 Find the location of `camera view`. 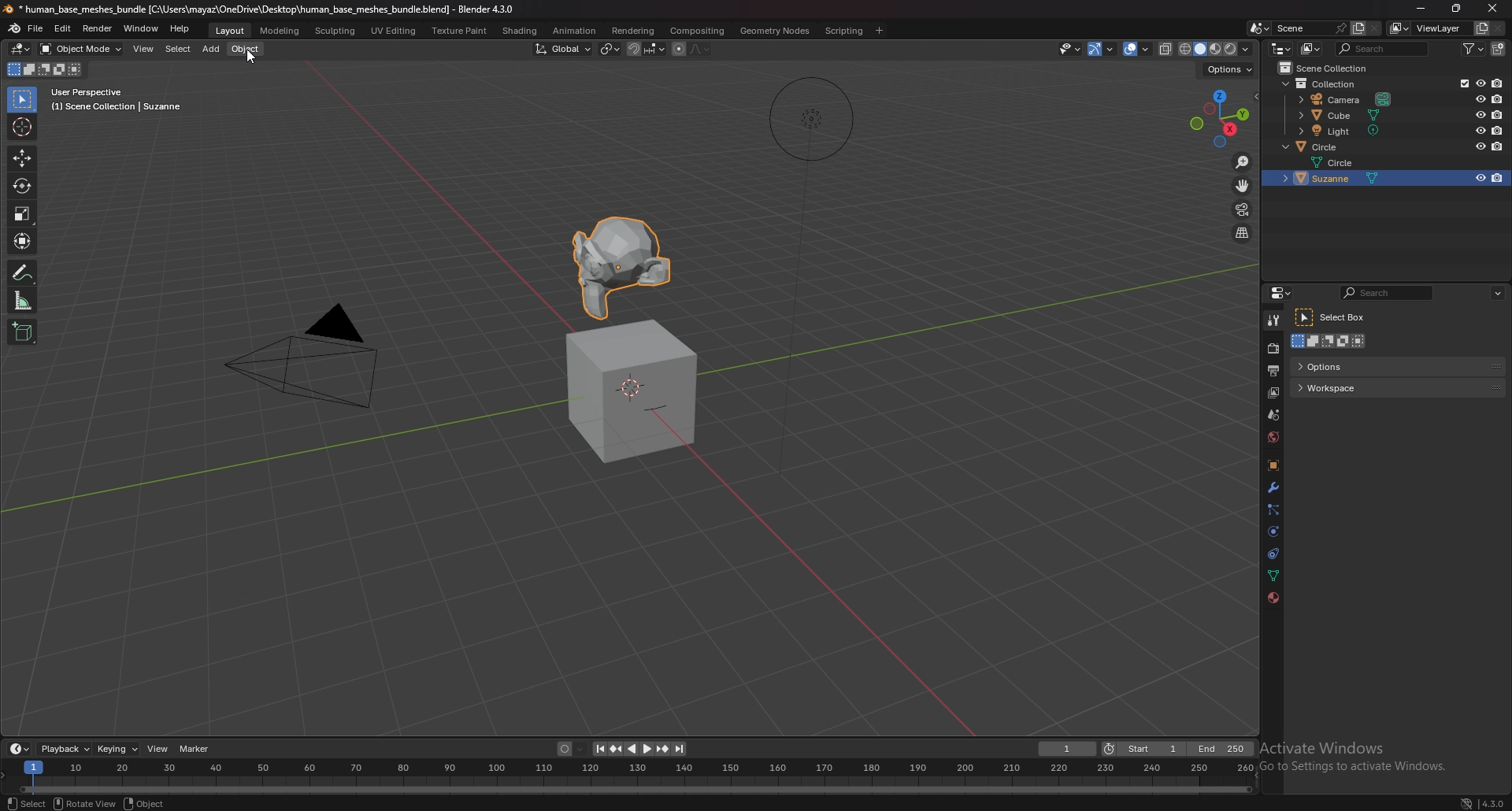

camera view is located at coordinates (1243, 209).